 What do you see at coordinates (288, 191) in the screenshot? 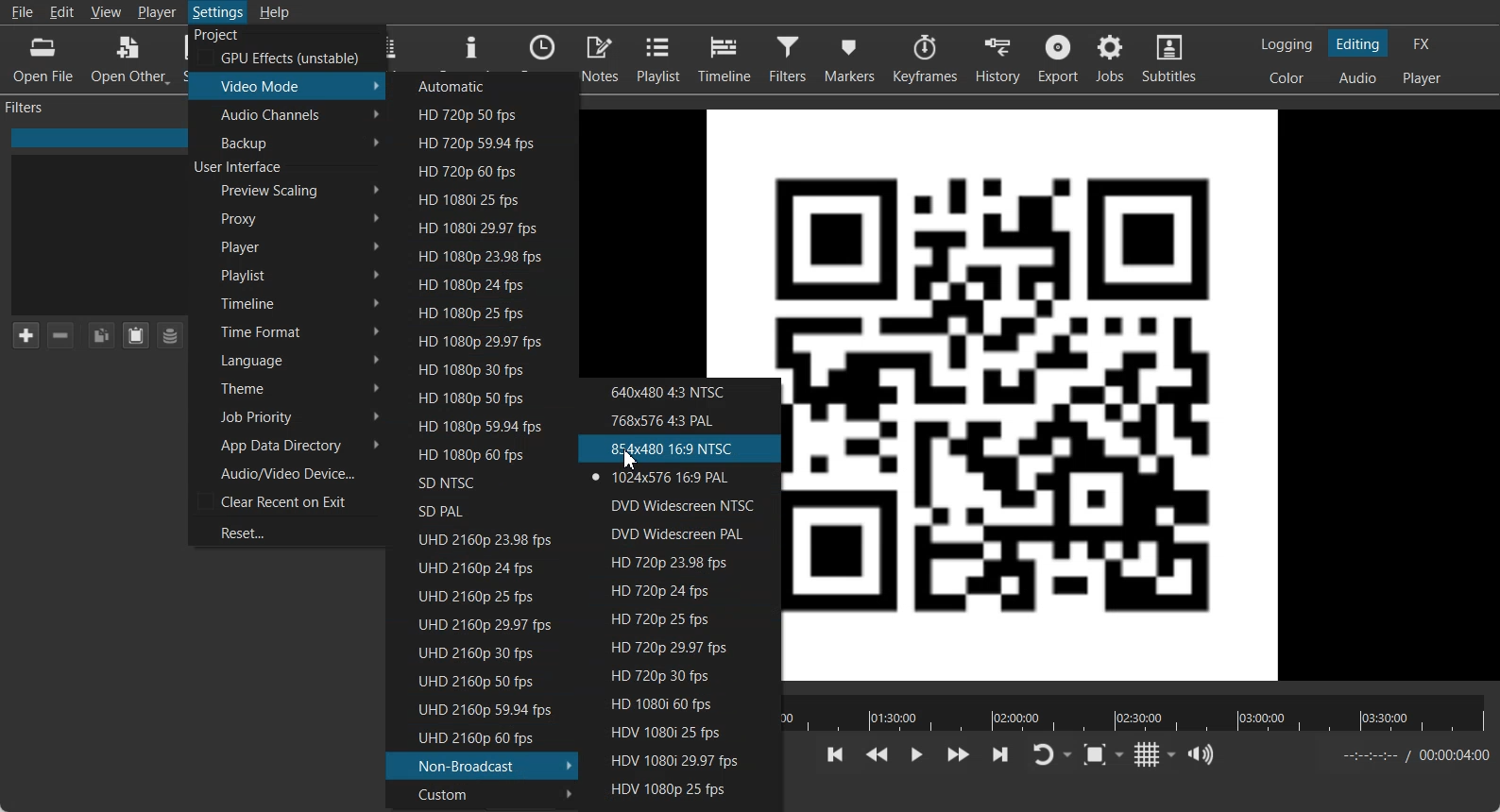
I see `Preview Scaling` at bounding box center [288, 191].